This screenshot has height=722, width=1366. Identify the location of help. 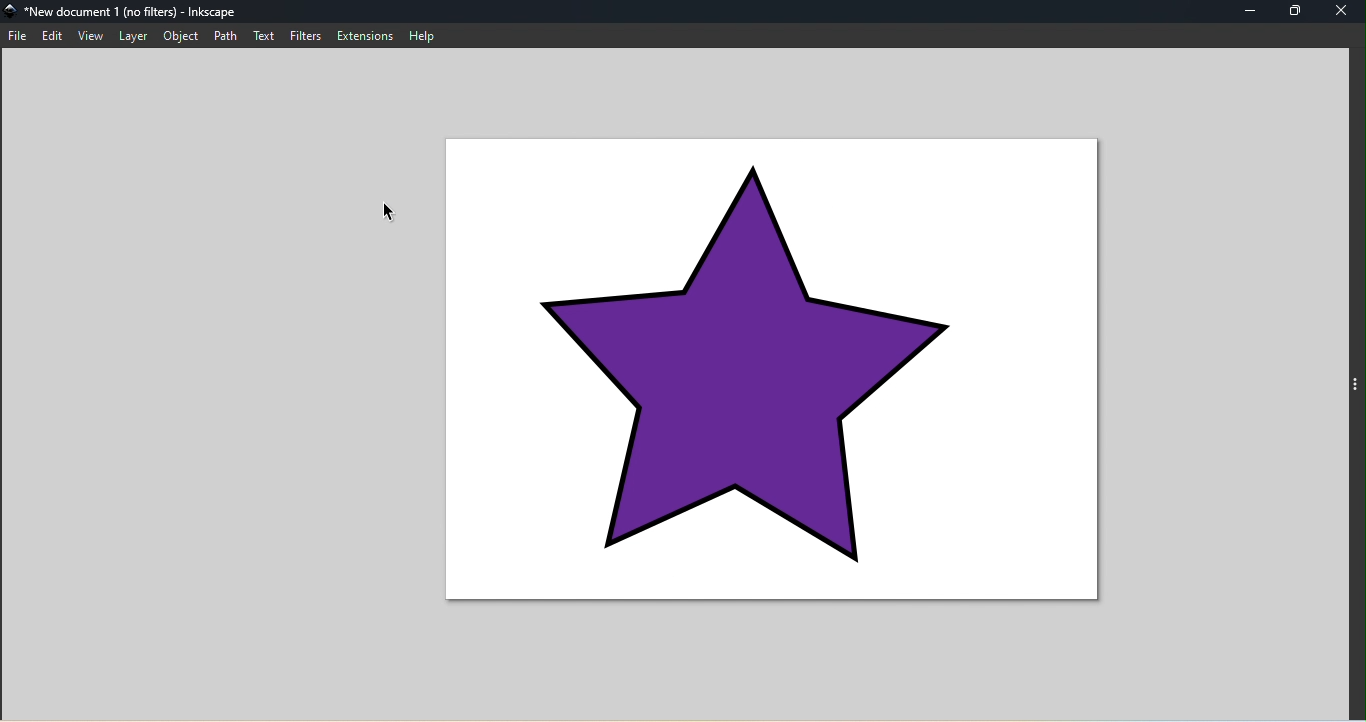
(426, 35).